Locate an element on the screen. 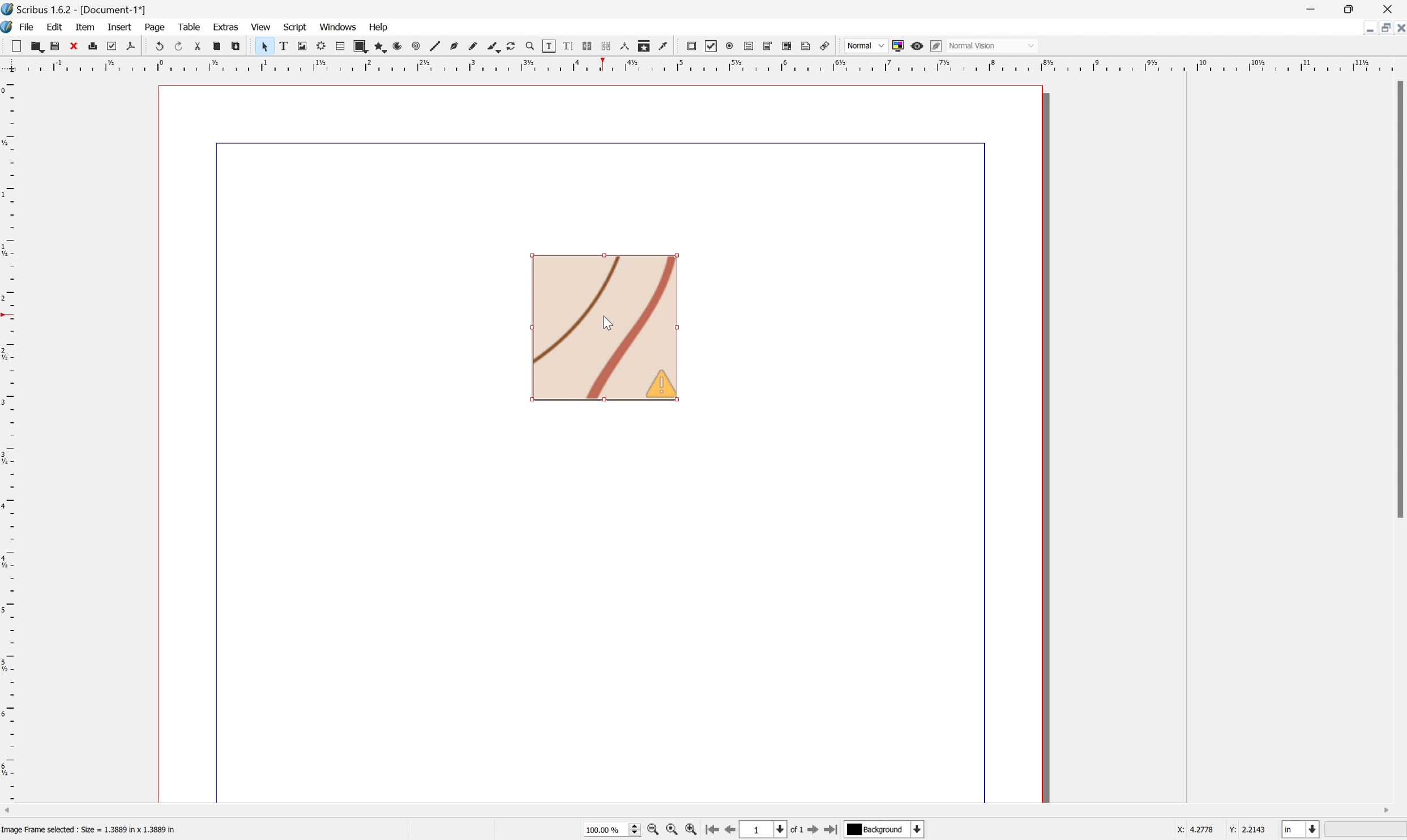 The width and height of the screenshot is (1407, 840). Table is located at coordinates (188, 26).